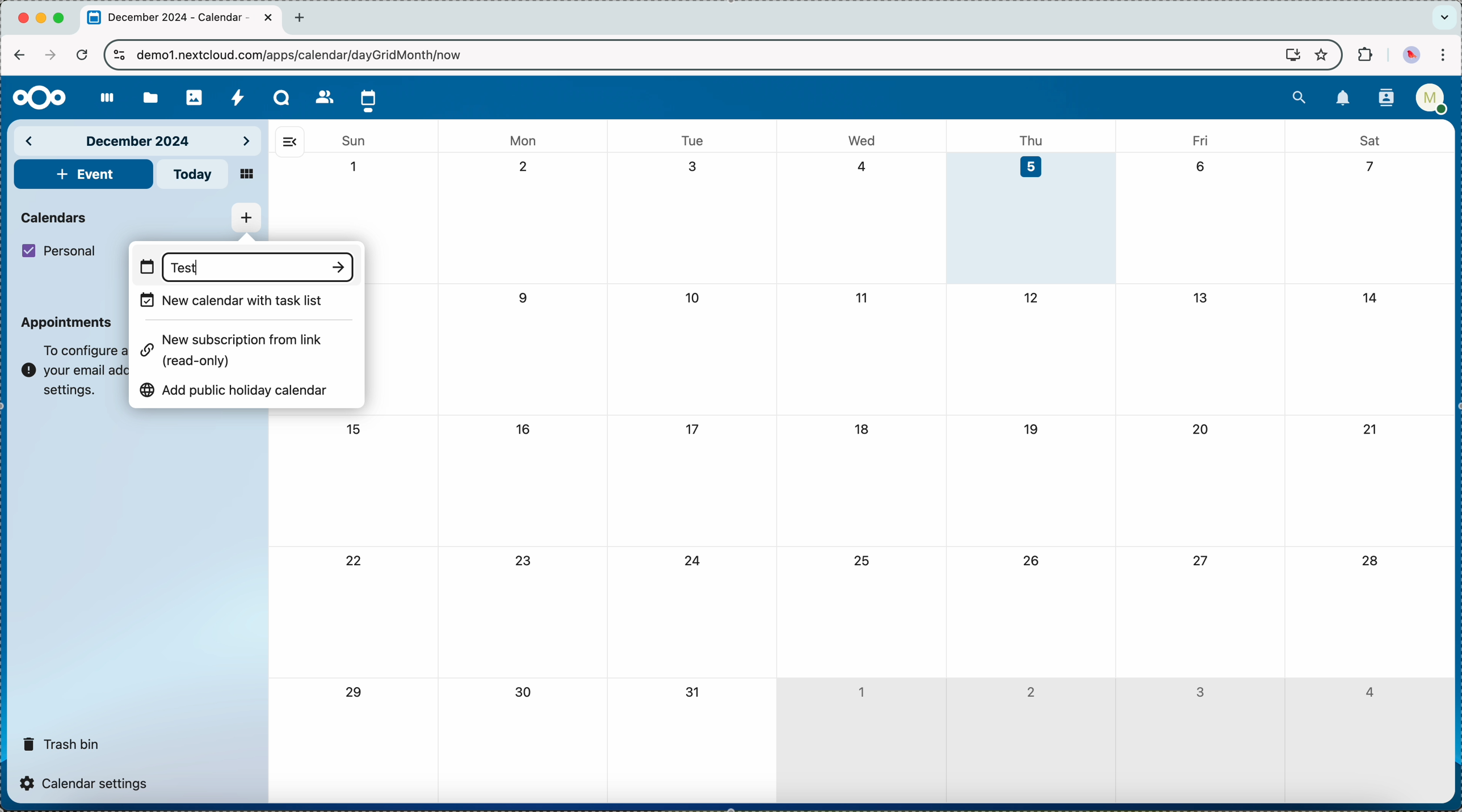 Image resolution: width=1462 pixels, height=812 pixels. What do you see at coordinates (309, 54) in the screenshot?
I see `URL` at bounding box center [309, 54].